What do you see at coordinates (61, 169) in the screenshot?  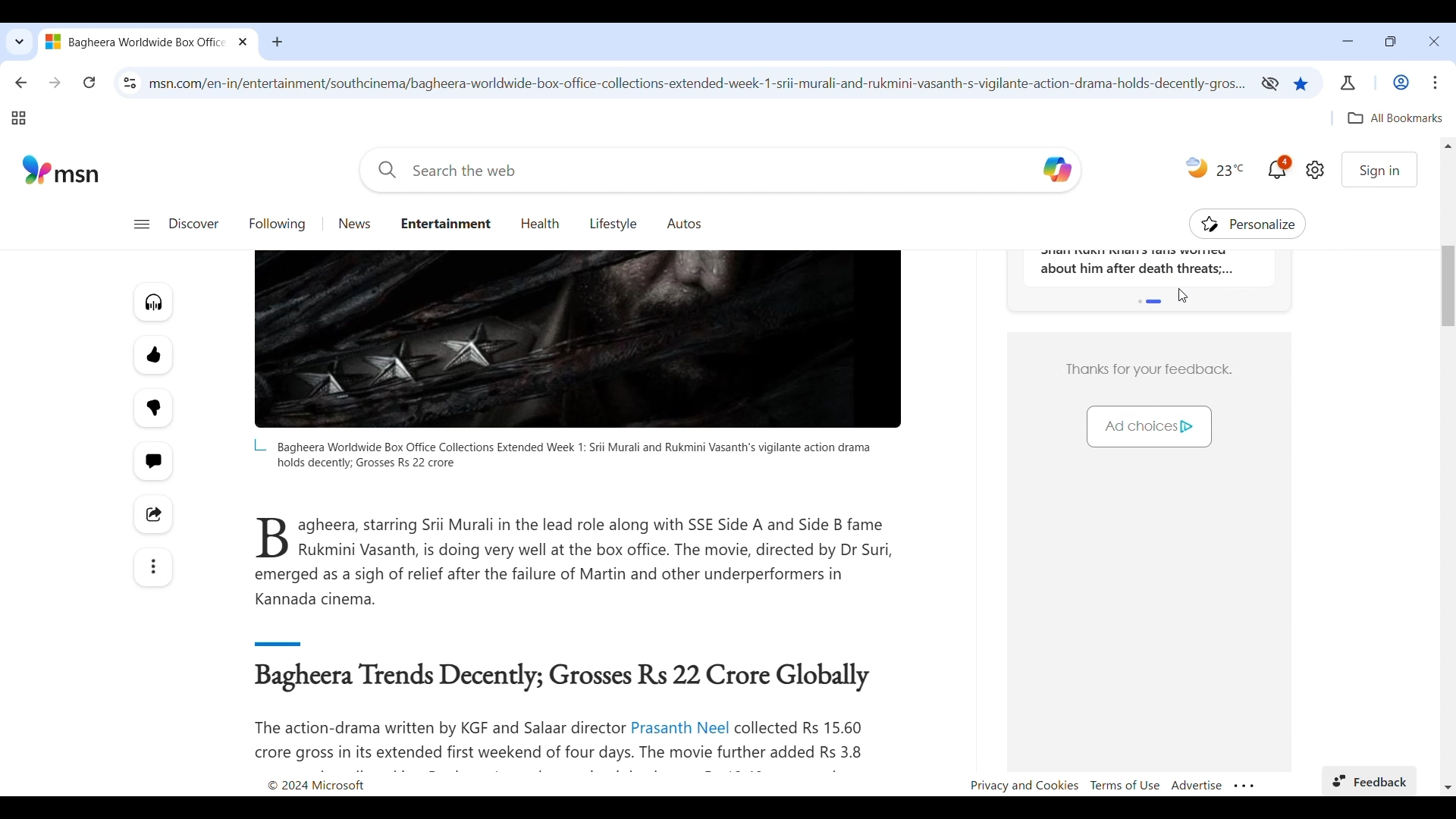 I see `Website logo and name` at bounding box center [61, 169].